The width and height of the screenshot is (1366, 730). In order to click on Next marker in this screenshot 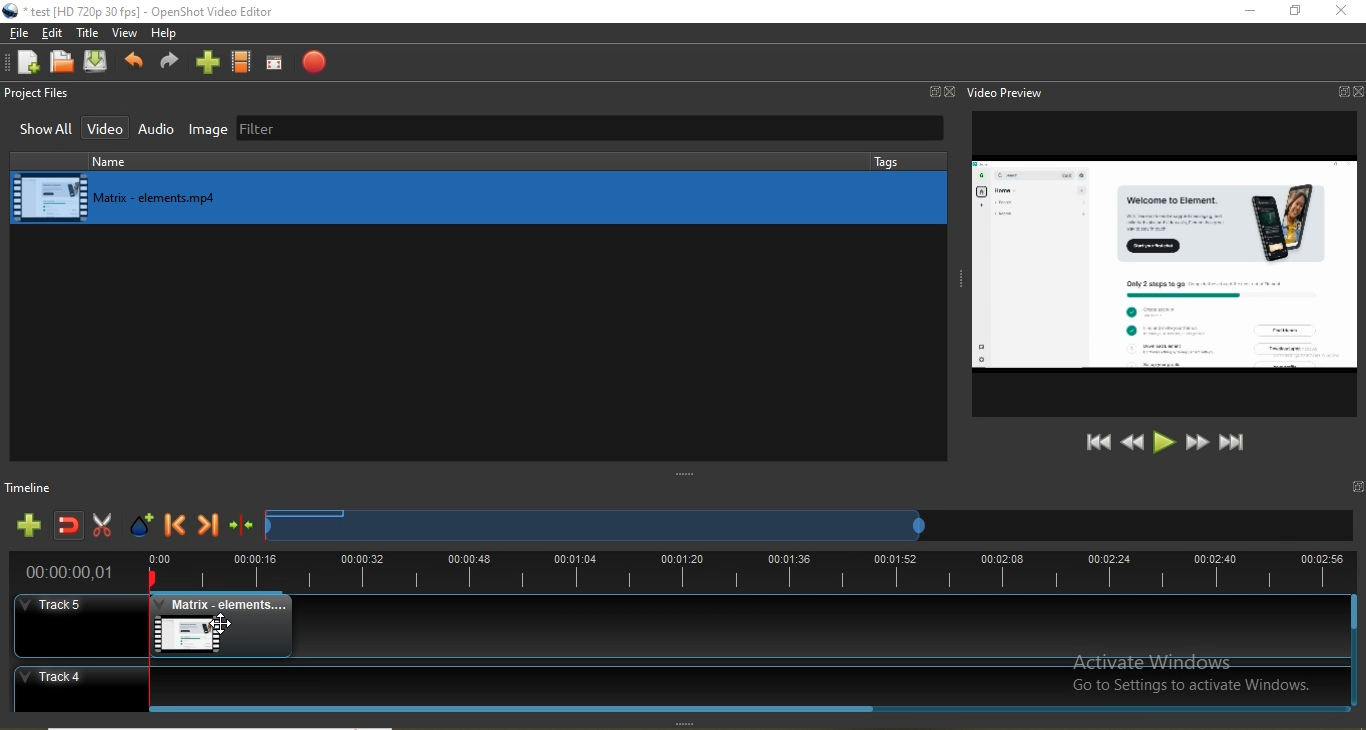, I will do `click(211, 529)`.